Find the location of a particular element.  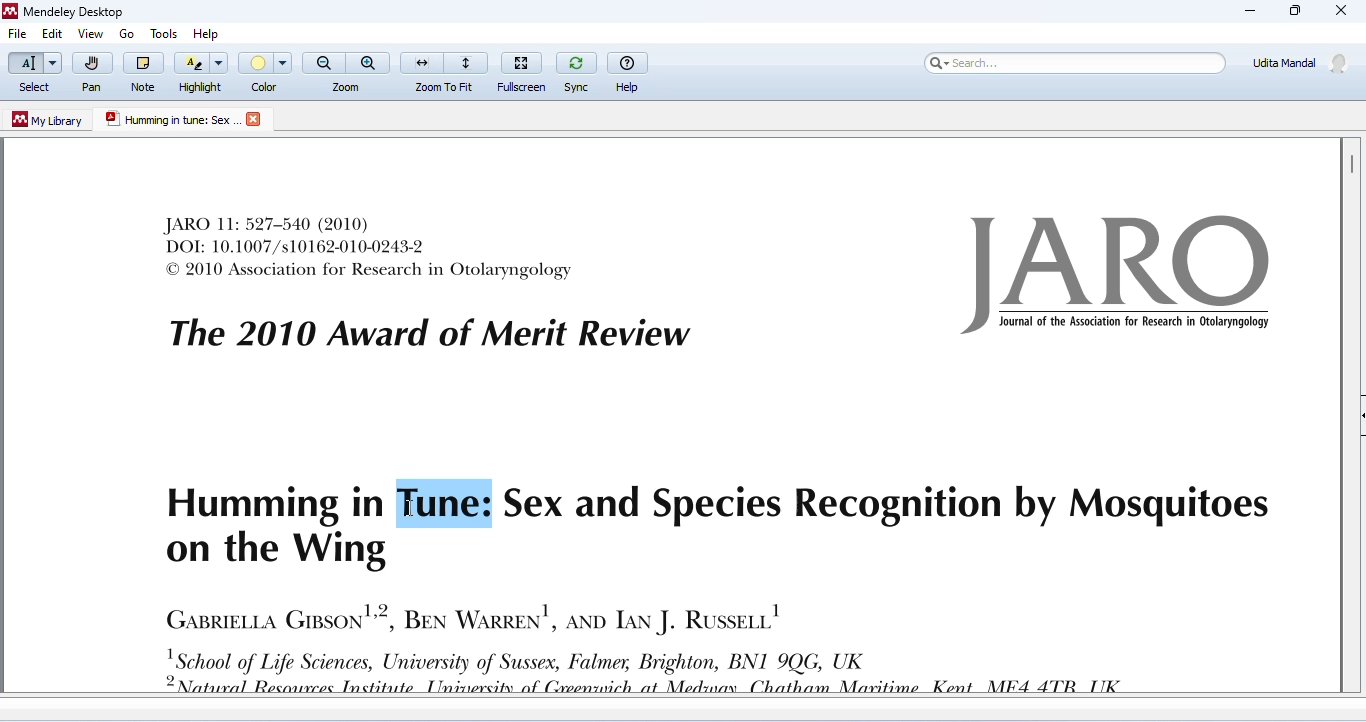

zoom is located at coordinates (347, 71).